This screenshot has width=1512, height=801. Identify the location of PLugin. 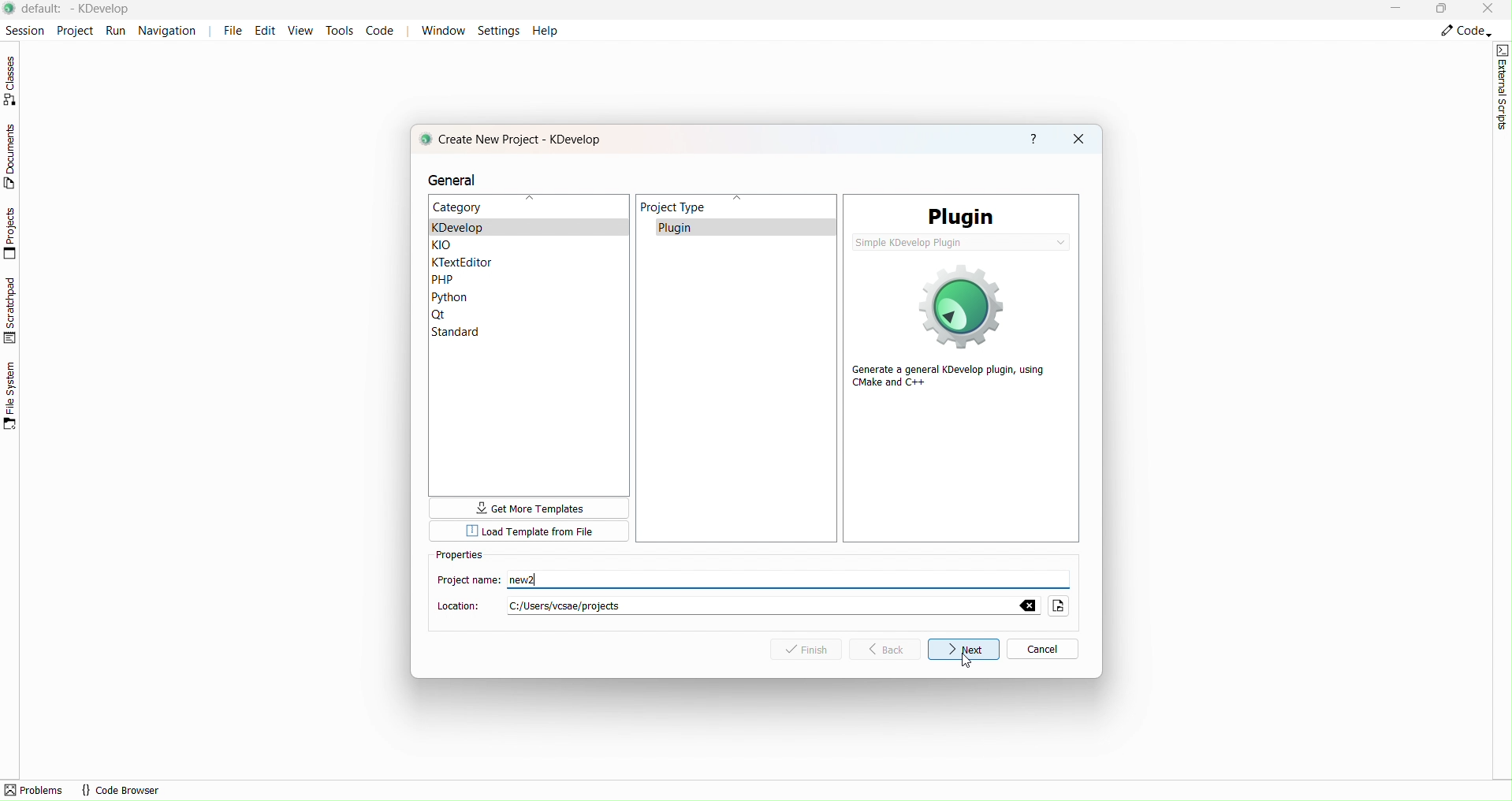
(962, 213).